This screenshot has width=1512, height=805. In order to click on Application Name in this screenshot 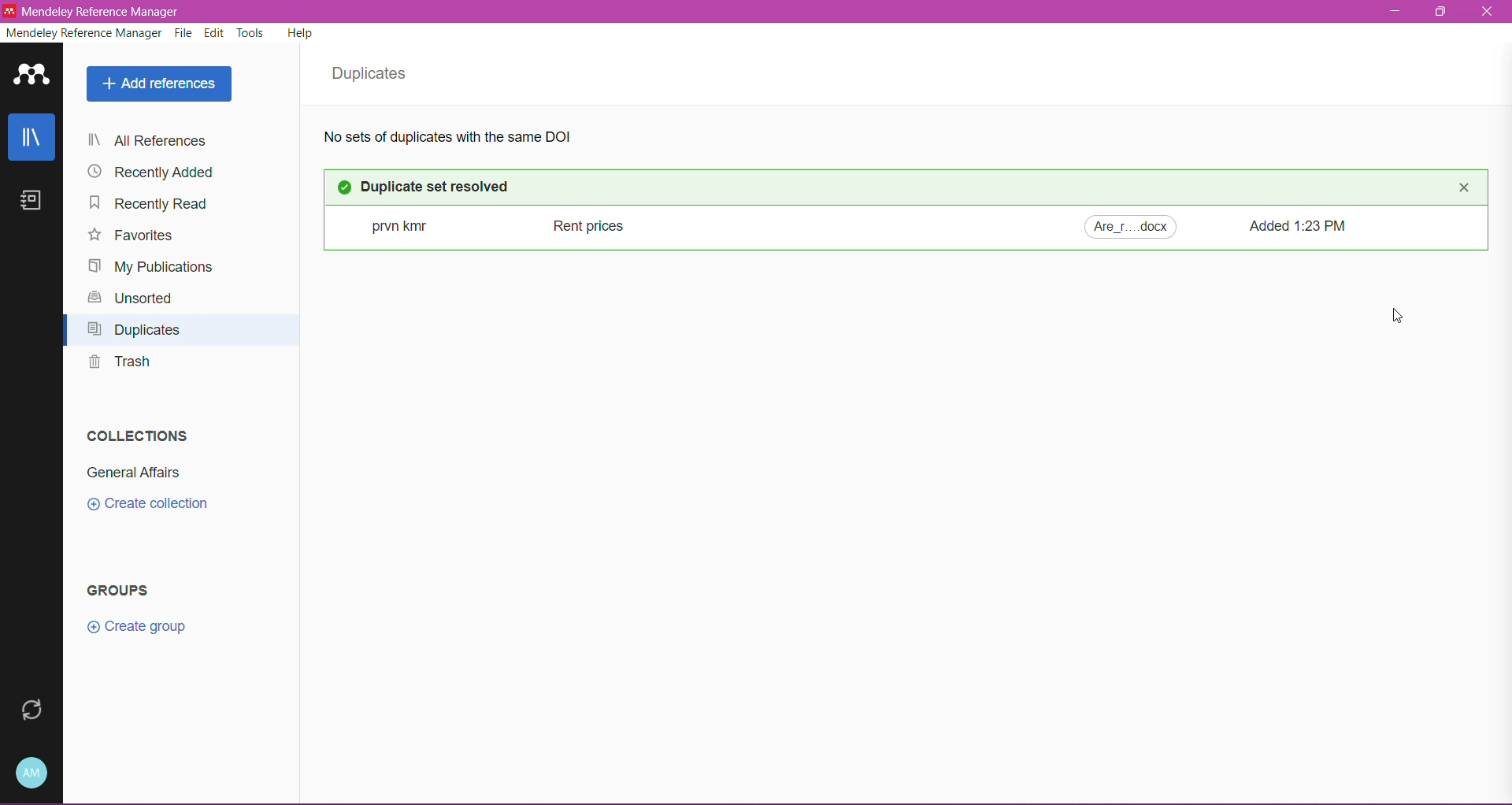, I will do `click(104, 12)`.